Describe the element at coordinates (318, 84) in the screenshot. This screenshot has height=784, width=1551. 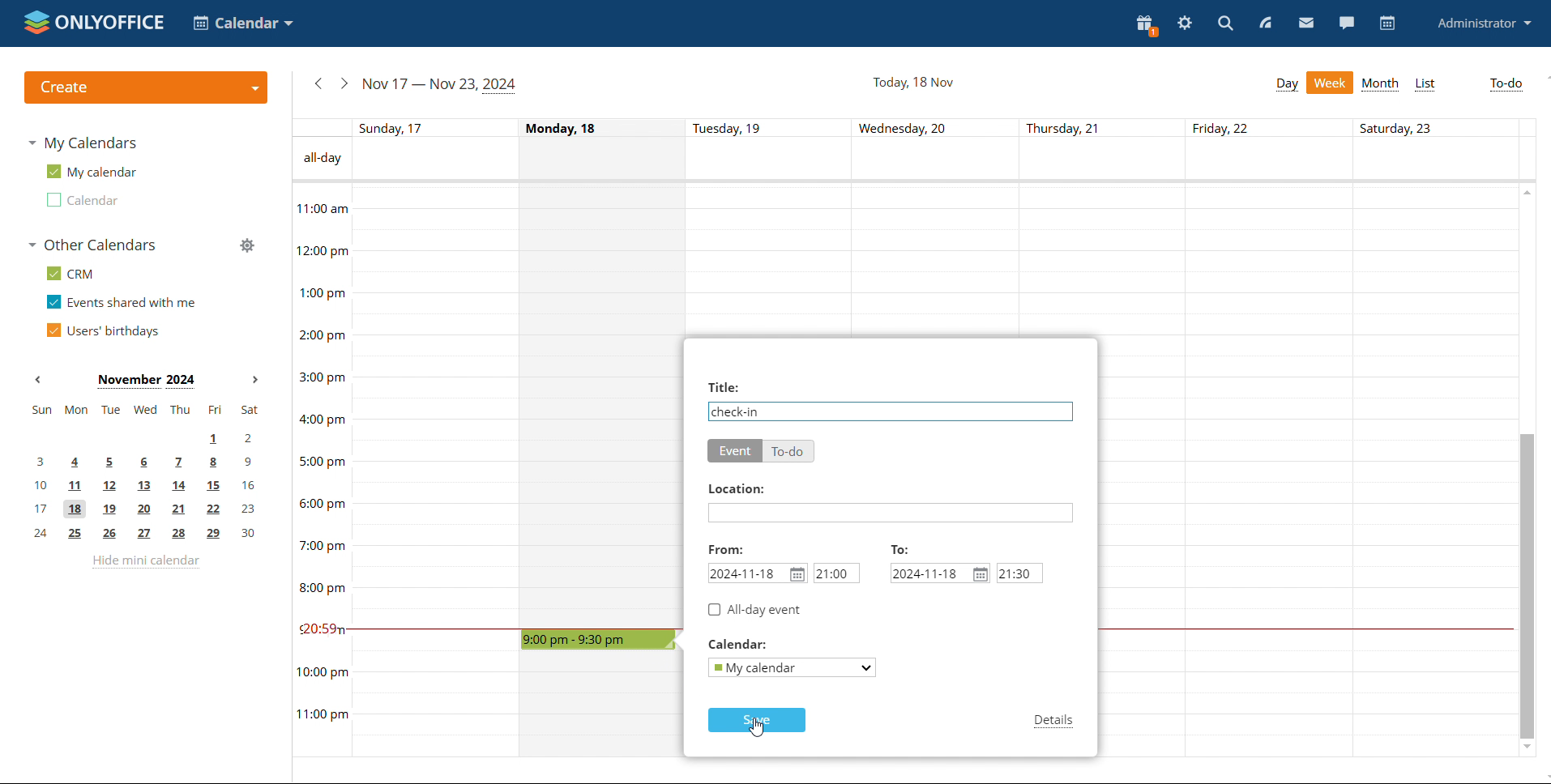
I see `previous week` at that location.